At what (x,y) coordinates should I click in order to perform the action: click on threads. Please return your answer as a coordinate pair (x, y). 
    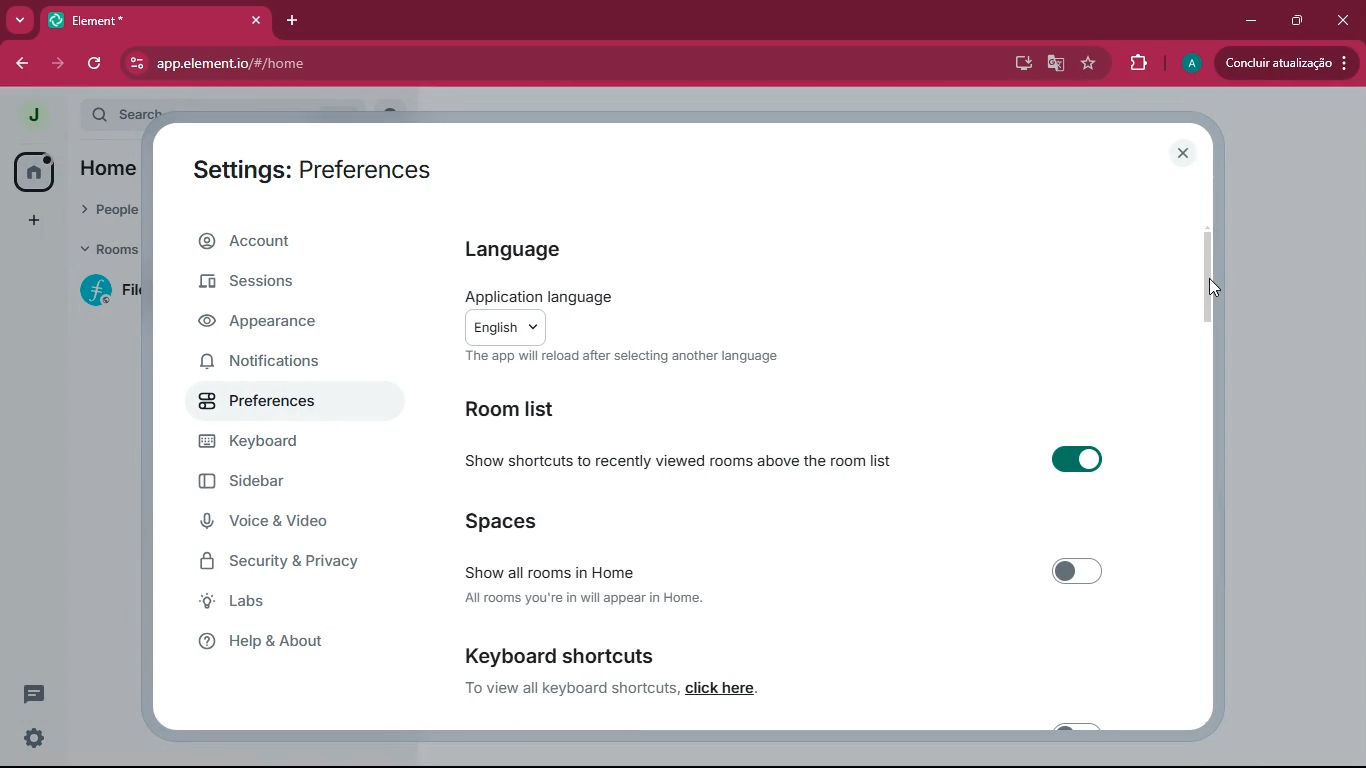
    Looking at the image, I should click on (36, 693).